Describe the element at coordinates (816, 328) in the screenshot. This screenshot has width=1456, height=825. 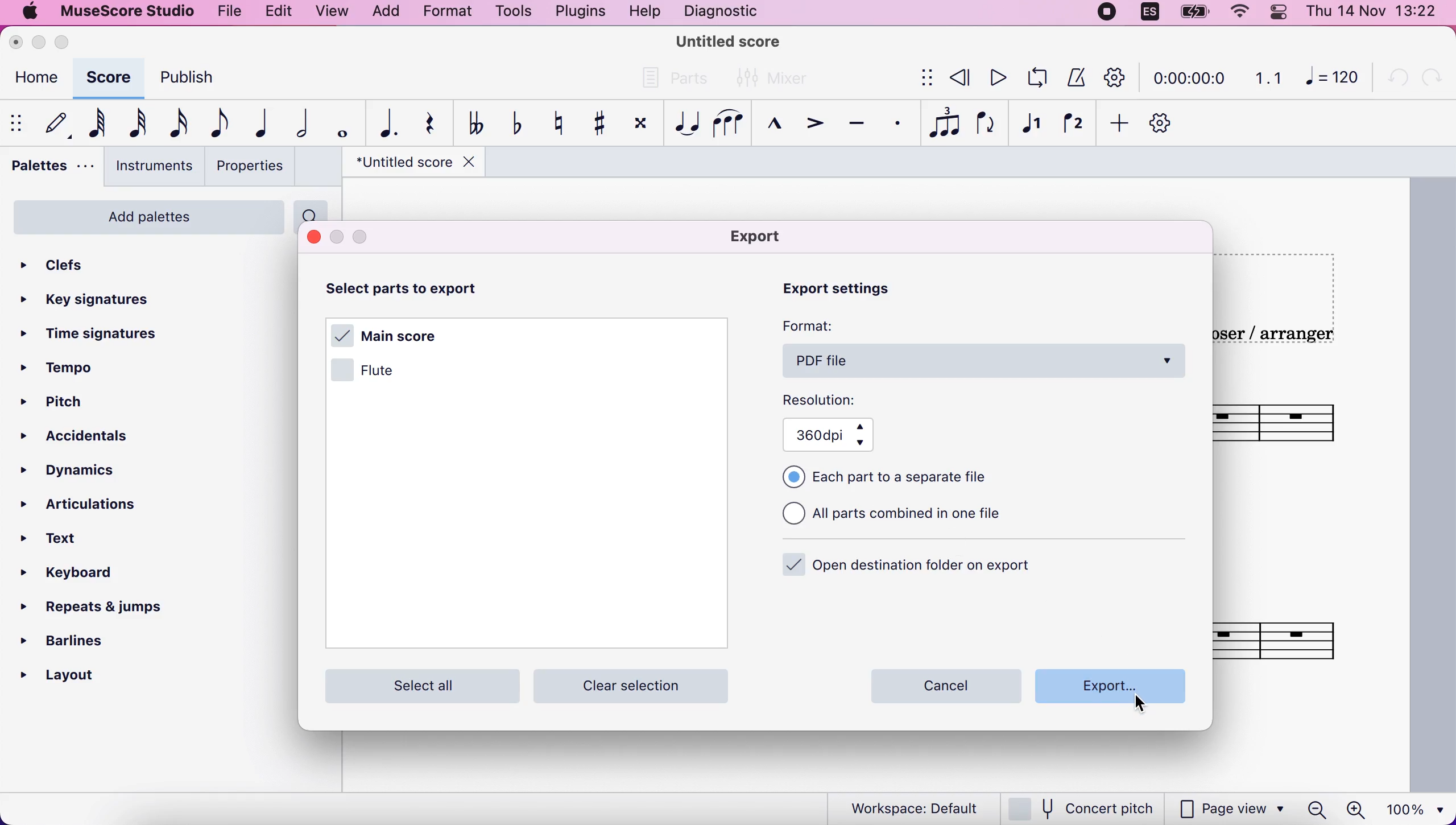
I see `format` at that location.